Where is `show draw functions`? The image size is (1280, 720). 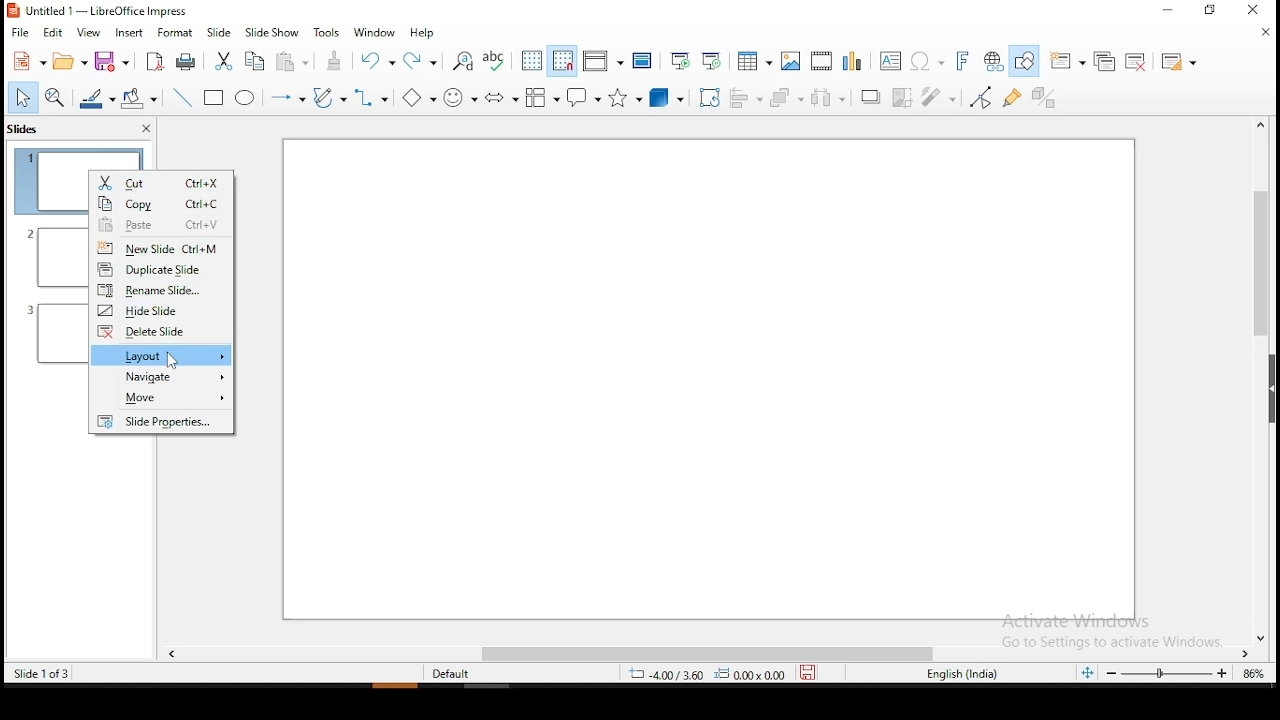 show draw functions is located at coordinates (1024, 61).